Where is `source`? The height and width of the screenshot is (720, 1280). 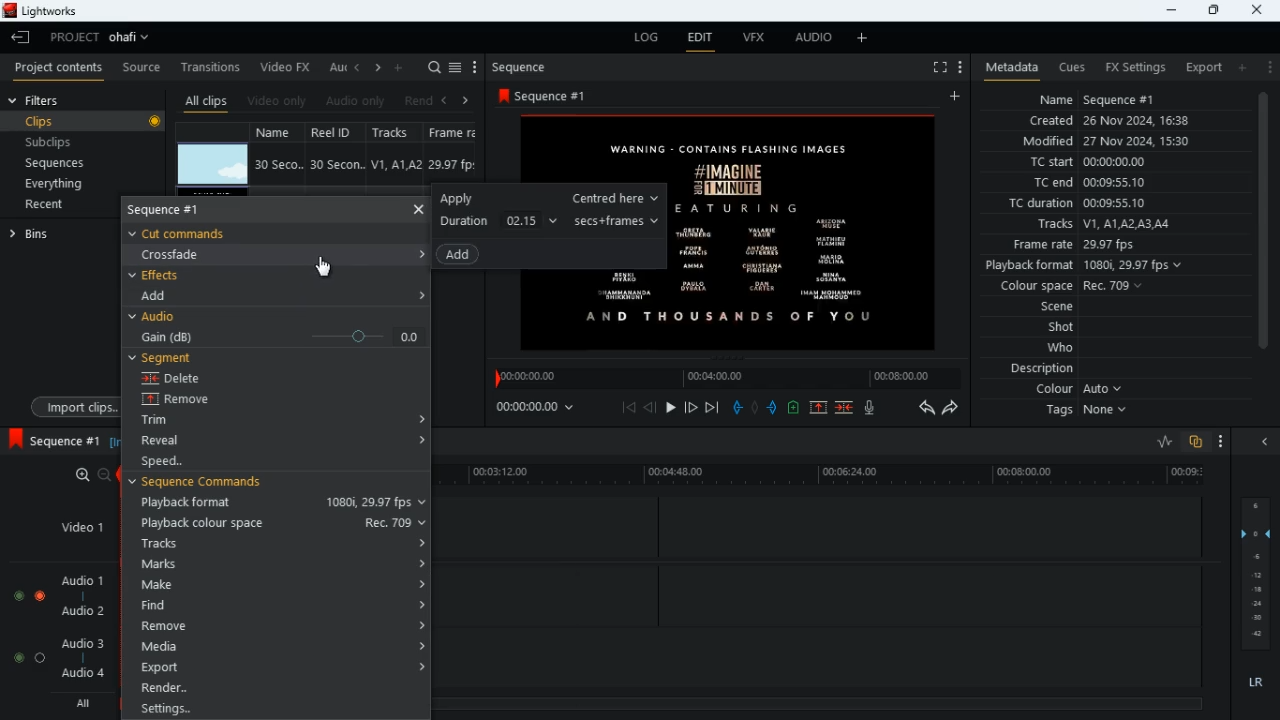
source is located at coordinates (141, 68).